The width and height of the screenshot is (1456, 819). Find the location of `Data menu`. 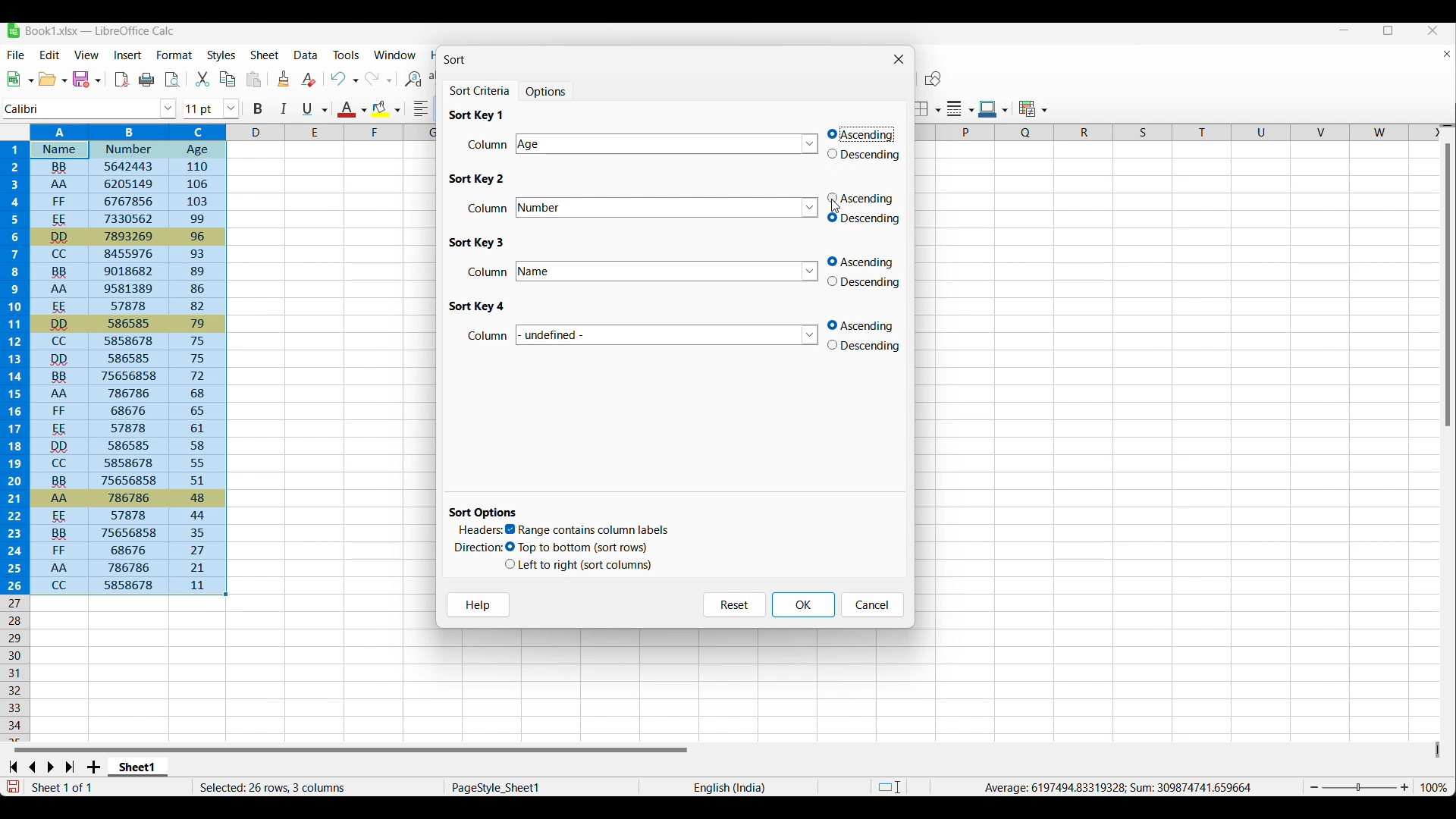

Data menu is located at coordinates (306, 55).